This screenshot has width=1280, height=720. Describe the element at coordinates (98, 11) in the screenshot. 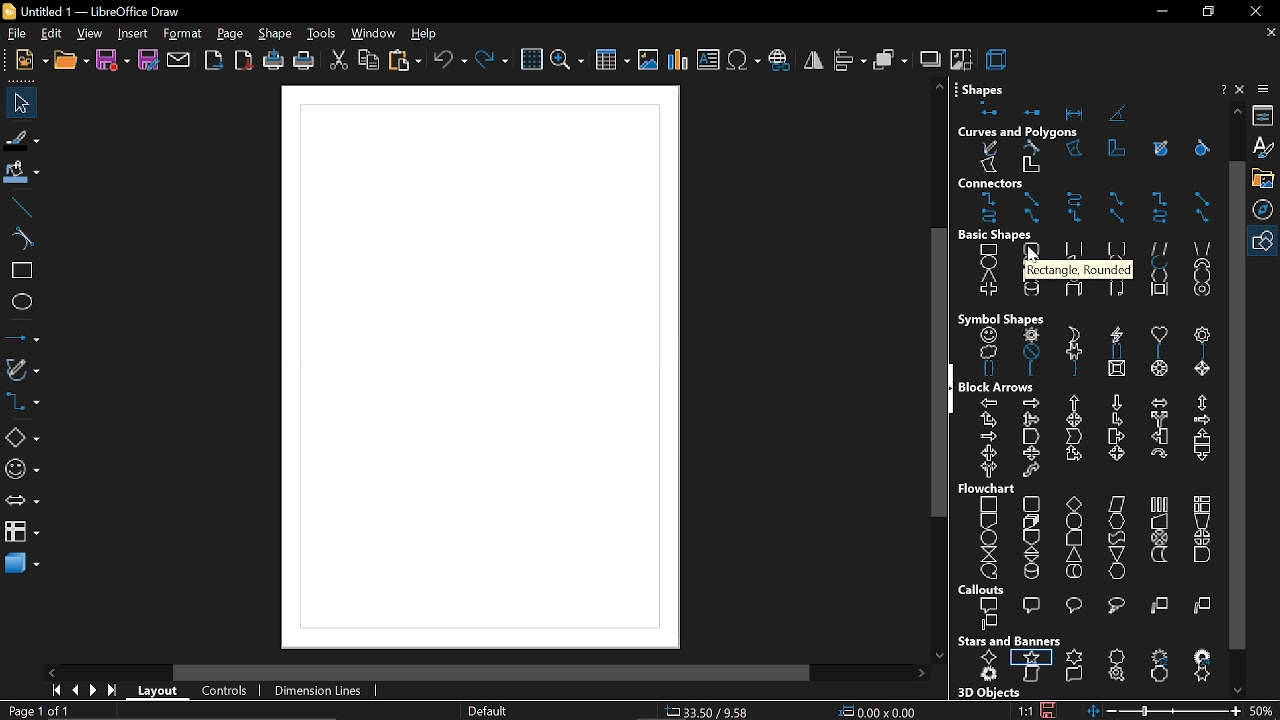

I see `current window` at that location.